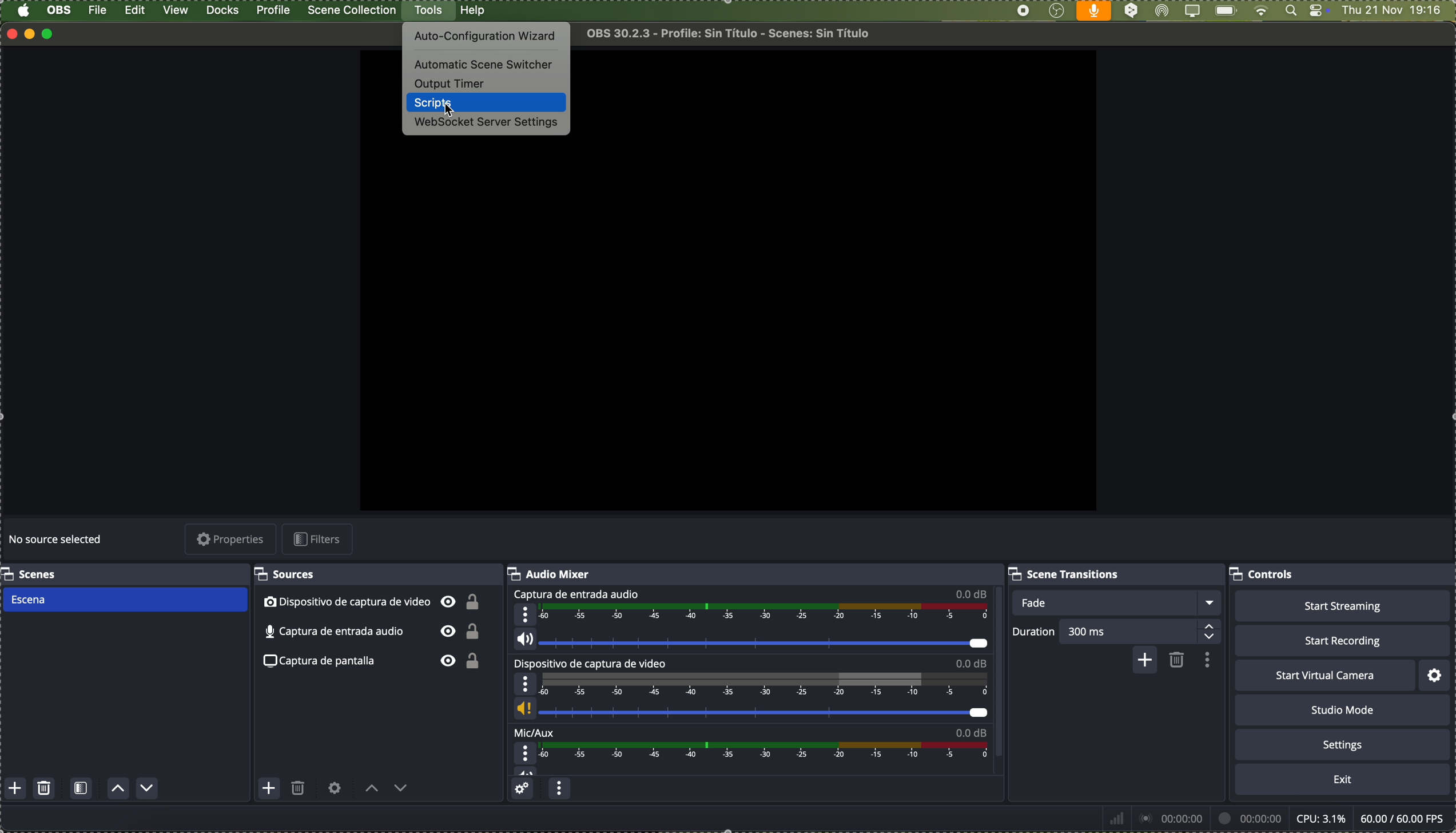  What do you see at coordinates (1117, 603) in the screenshot?
I see `fade` at bounding box center [1117, 603].